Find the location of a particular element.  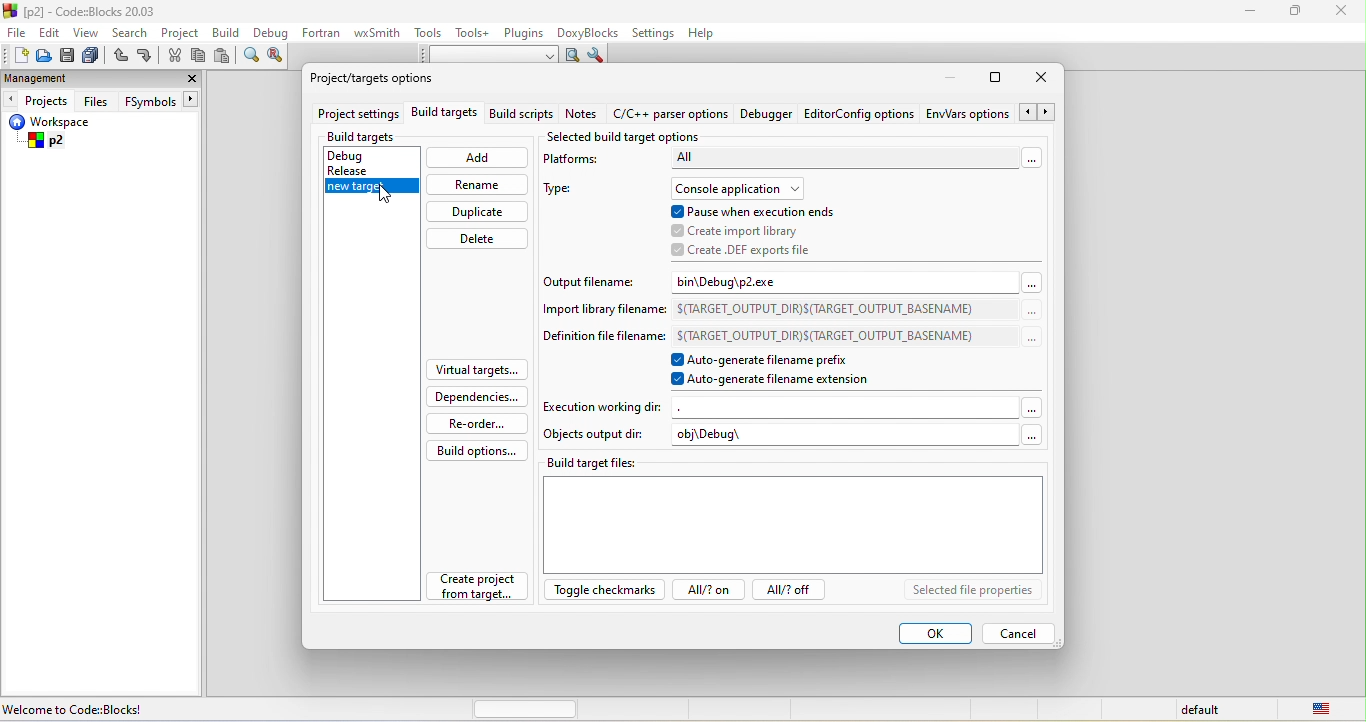

debug is located at coordinates (272, 35).